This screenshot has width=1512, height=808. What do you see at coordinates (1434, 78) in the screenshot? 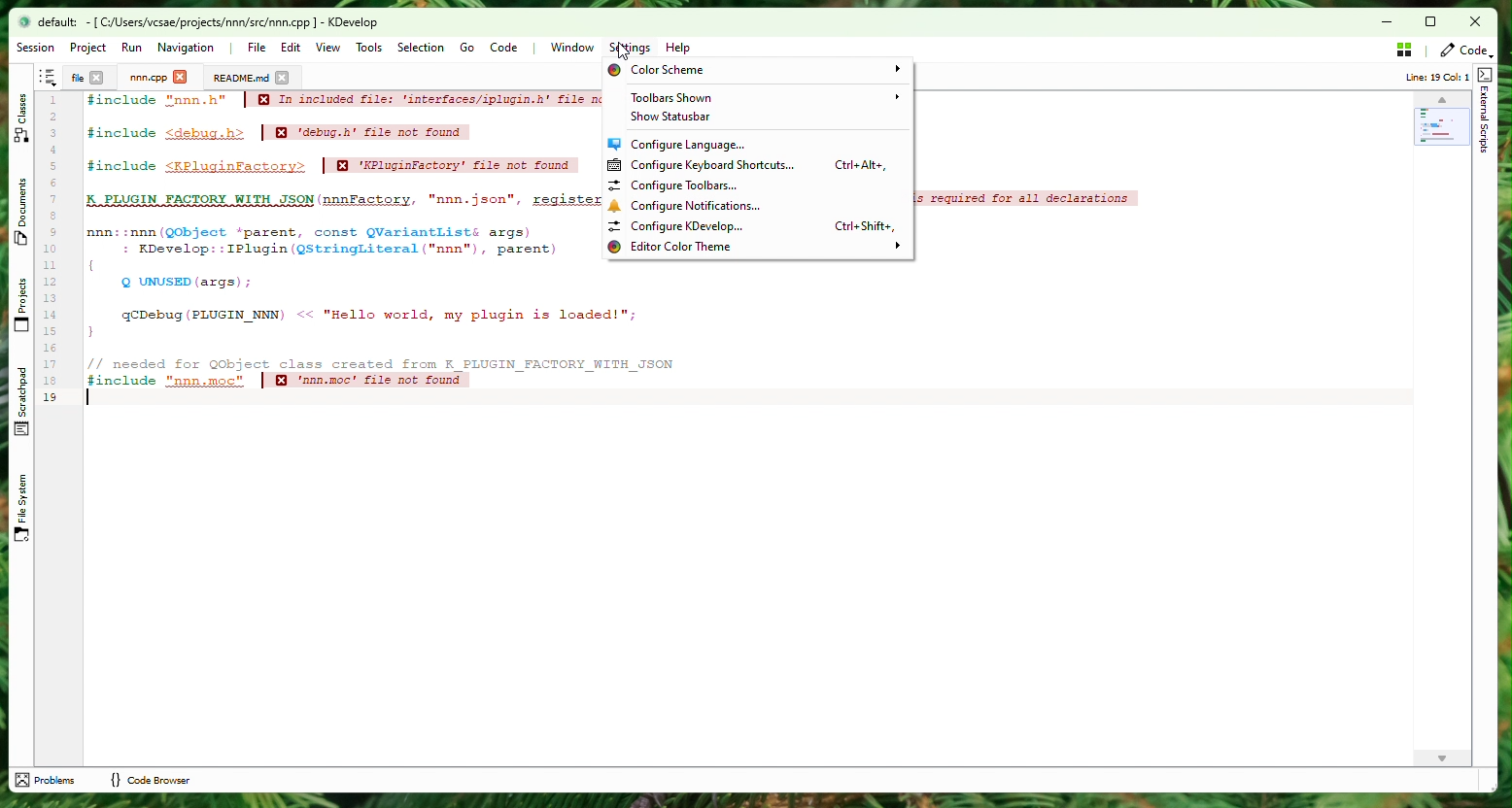
I see `info` at bounding box center [1434, 78].